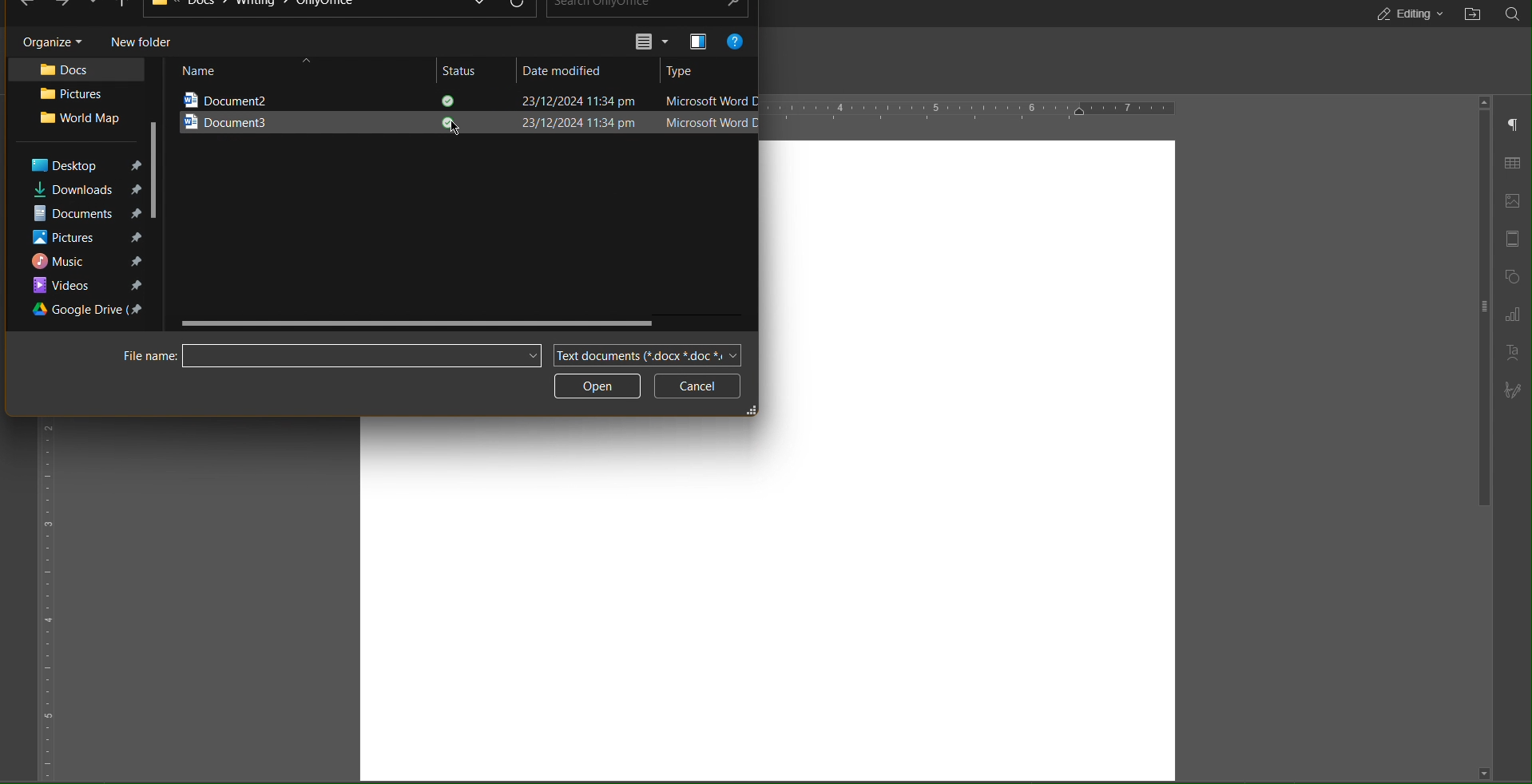 Image resolution: width=1532 pixels, height=784 pixels. Describe the element at coordinates (1513, 275) in the screenshot. I see `Shape Settings` at that location.